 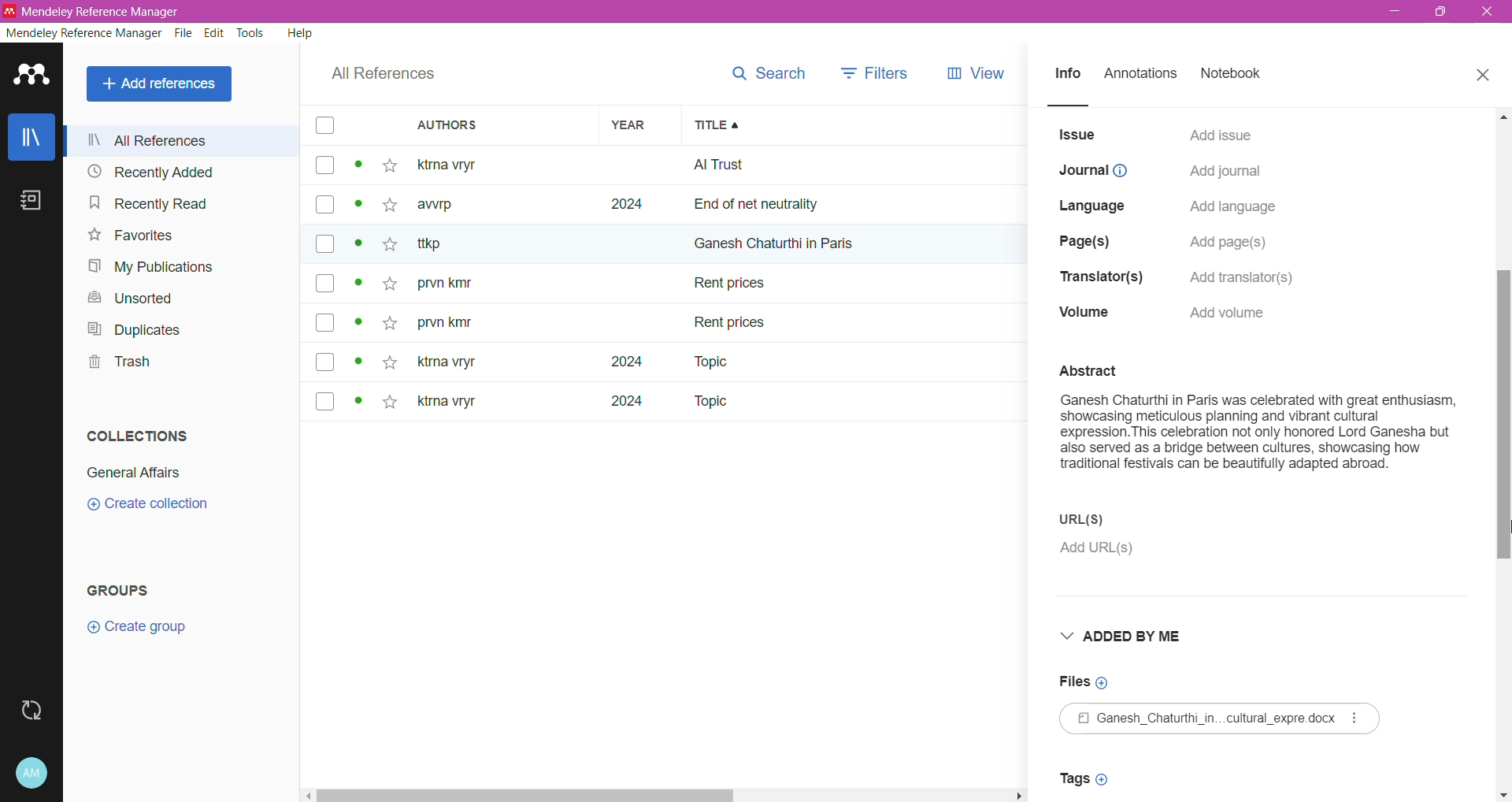 I want to click on Info, so click(x=1068, y=76).